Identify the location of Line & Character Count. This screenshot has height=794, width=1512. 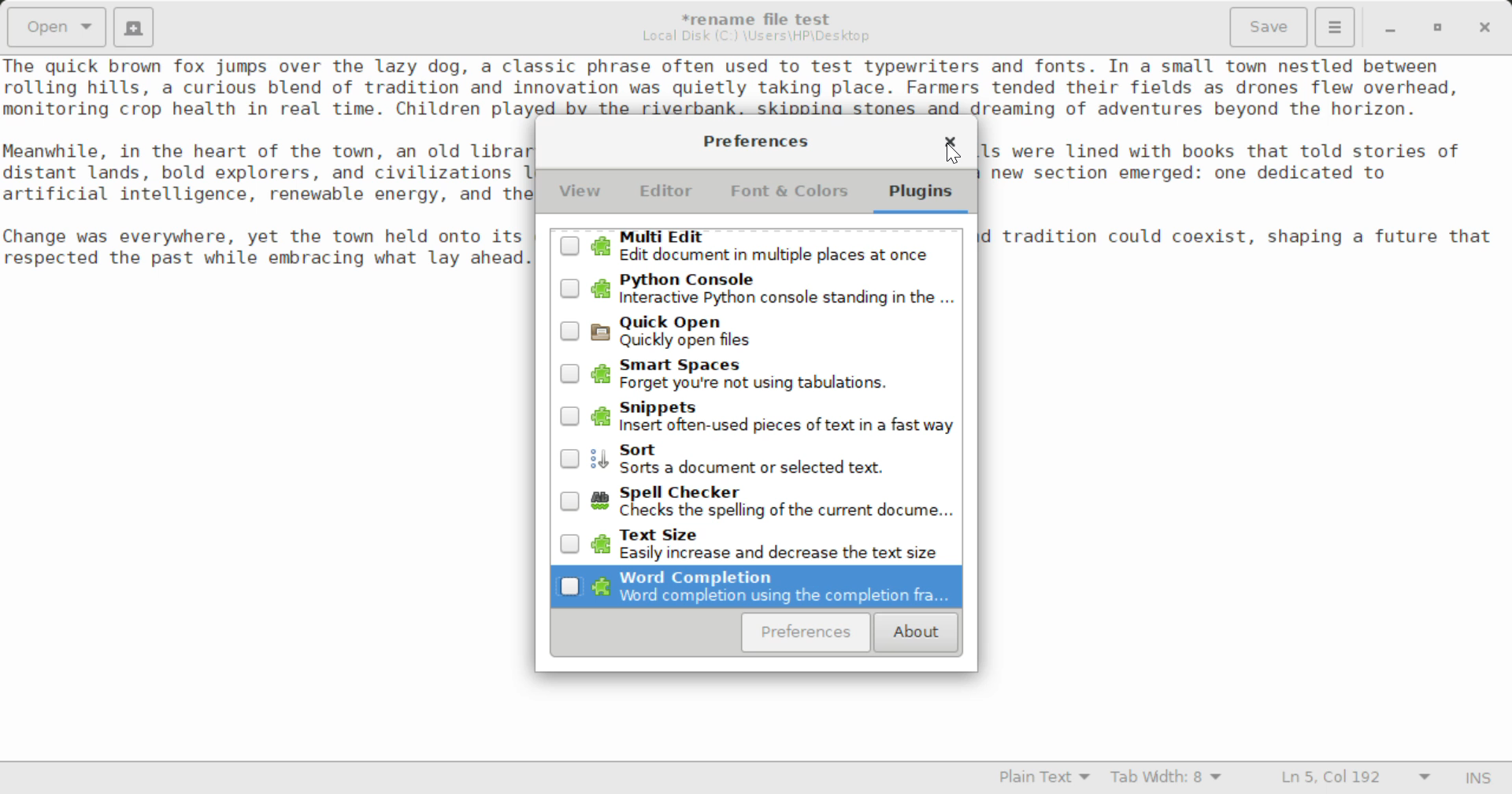
(1356, 779).